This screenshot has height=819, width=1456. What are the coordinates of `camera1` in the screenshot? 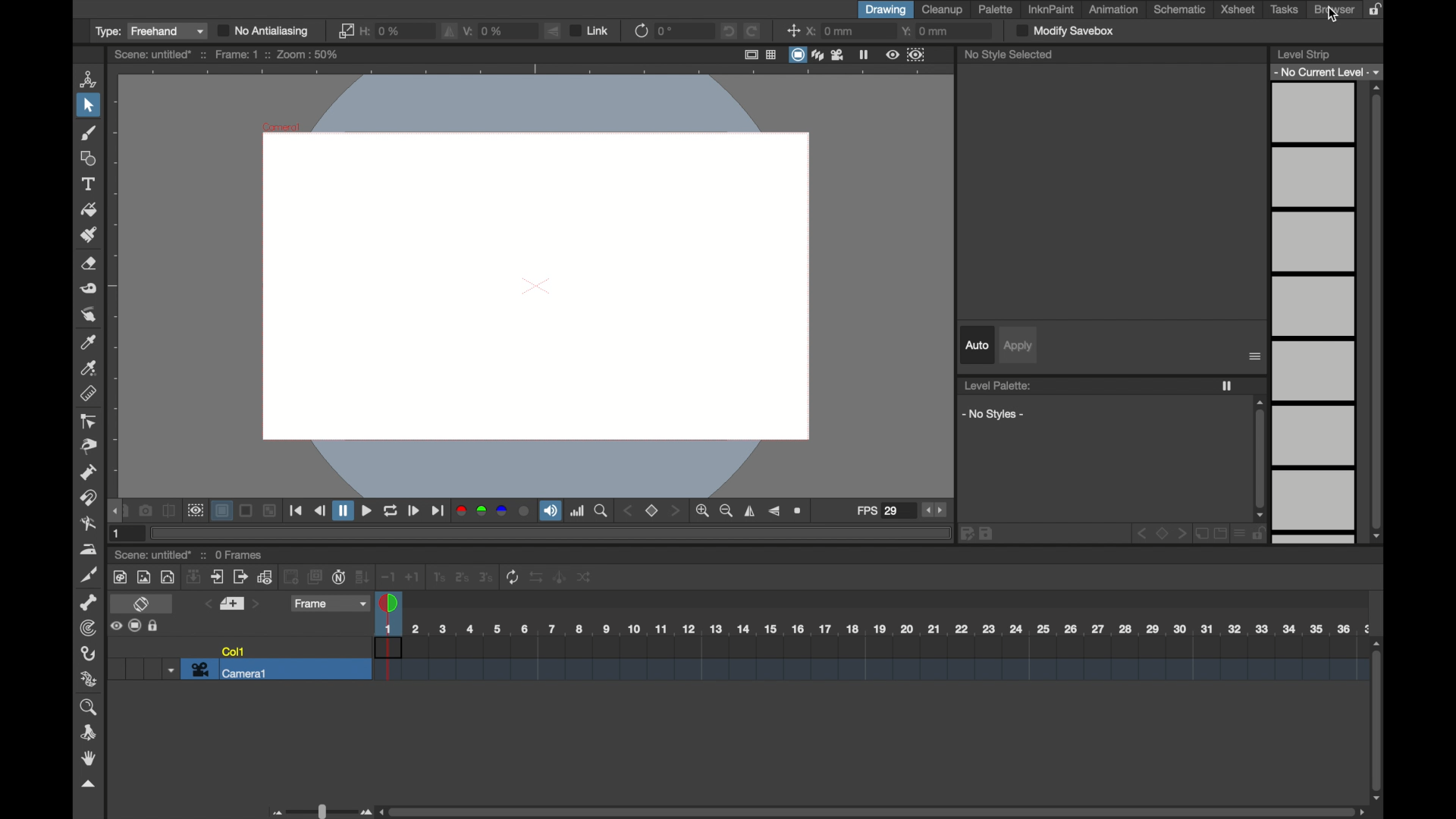 It's located at (230, 671).